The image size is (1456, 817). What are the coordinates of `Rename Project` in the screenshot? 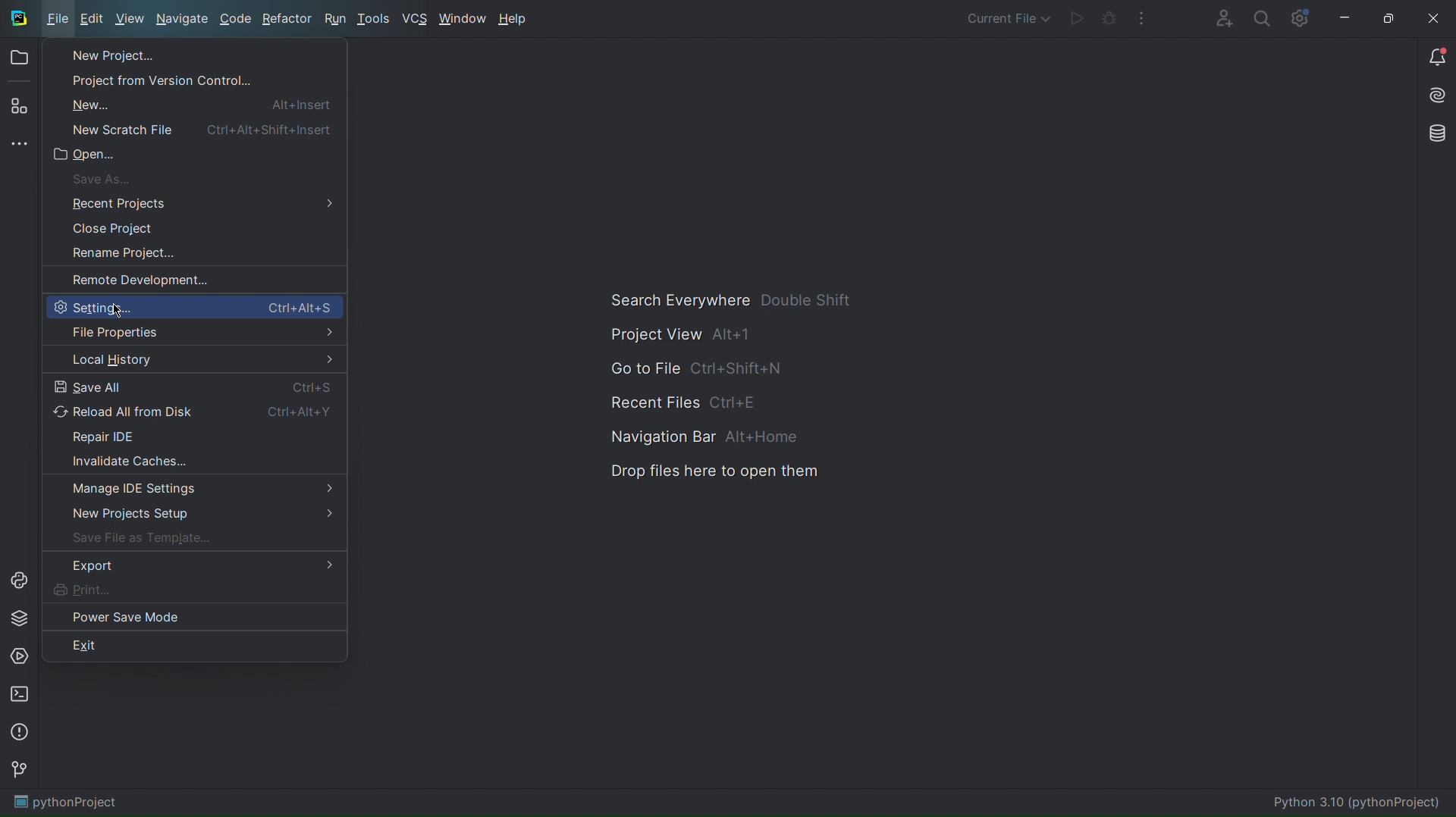 It's located at (122, 254).